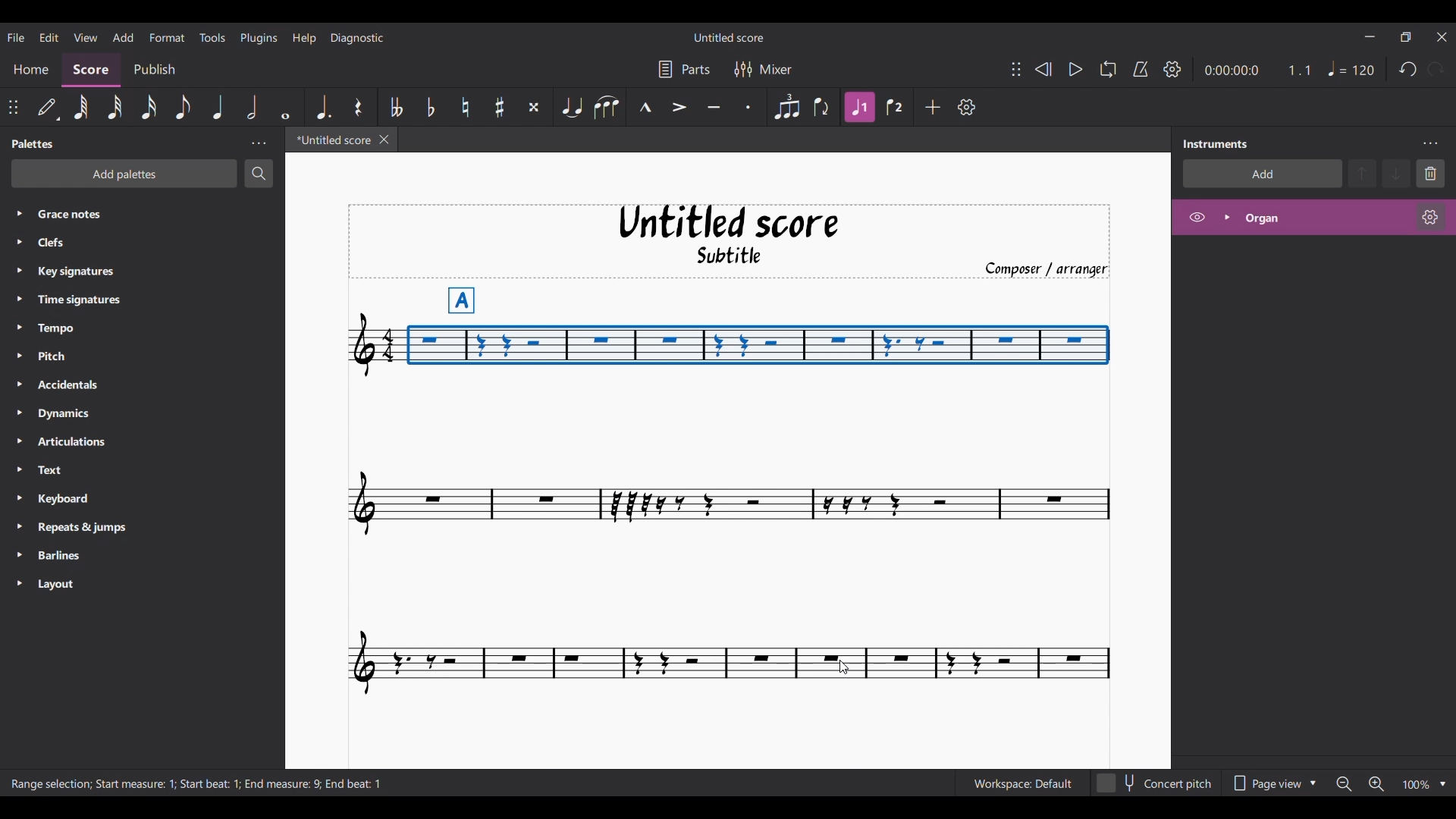 The image size is (1456, 819). Describe the element at coordinates (1396, 173) in the screenshot. I see `Move instrument down` at that location.